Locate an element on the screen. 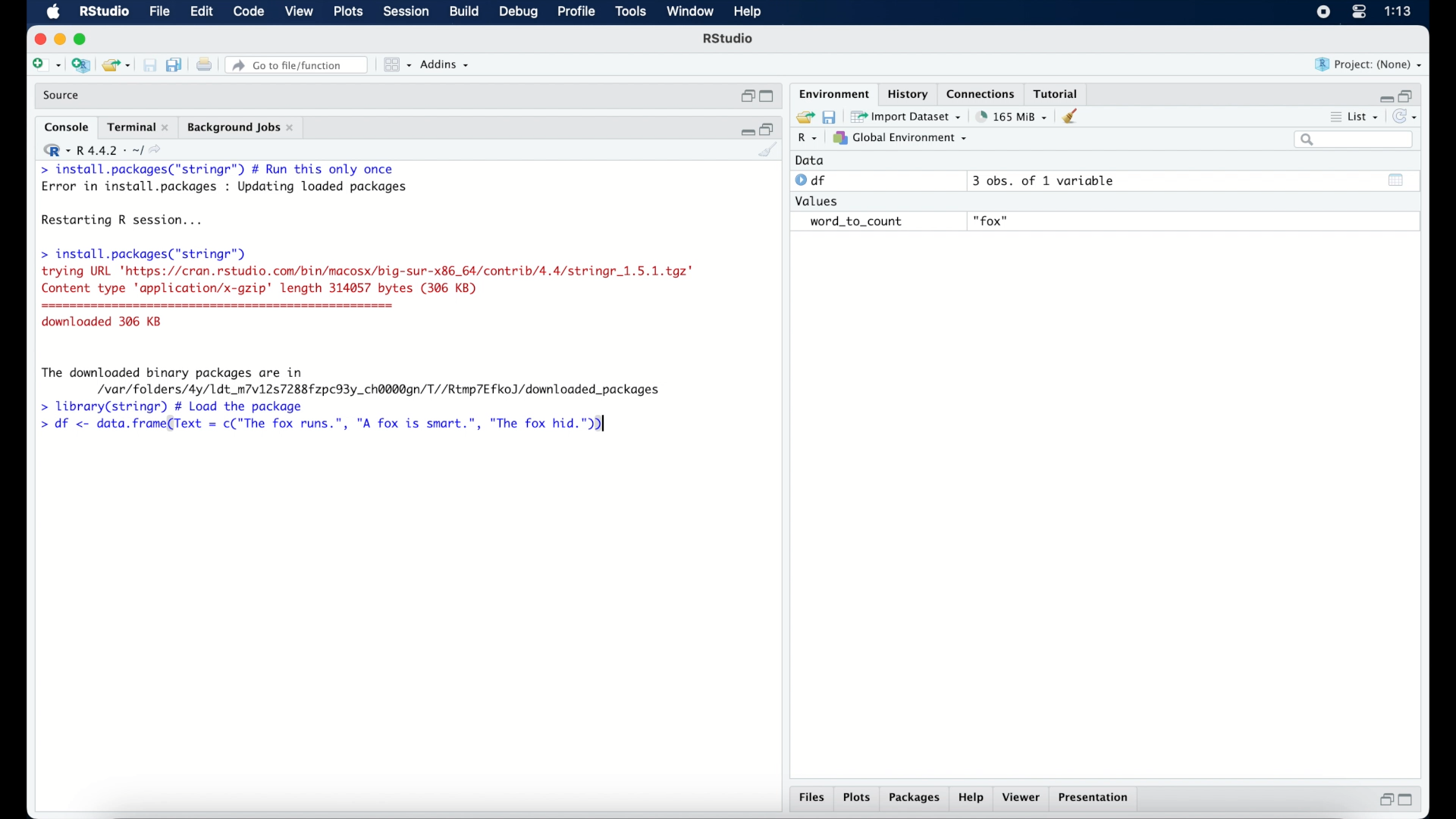 This screenshot has width=1456, height=819. addins is located at coordinates (445, 64).